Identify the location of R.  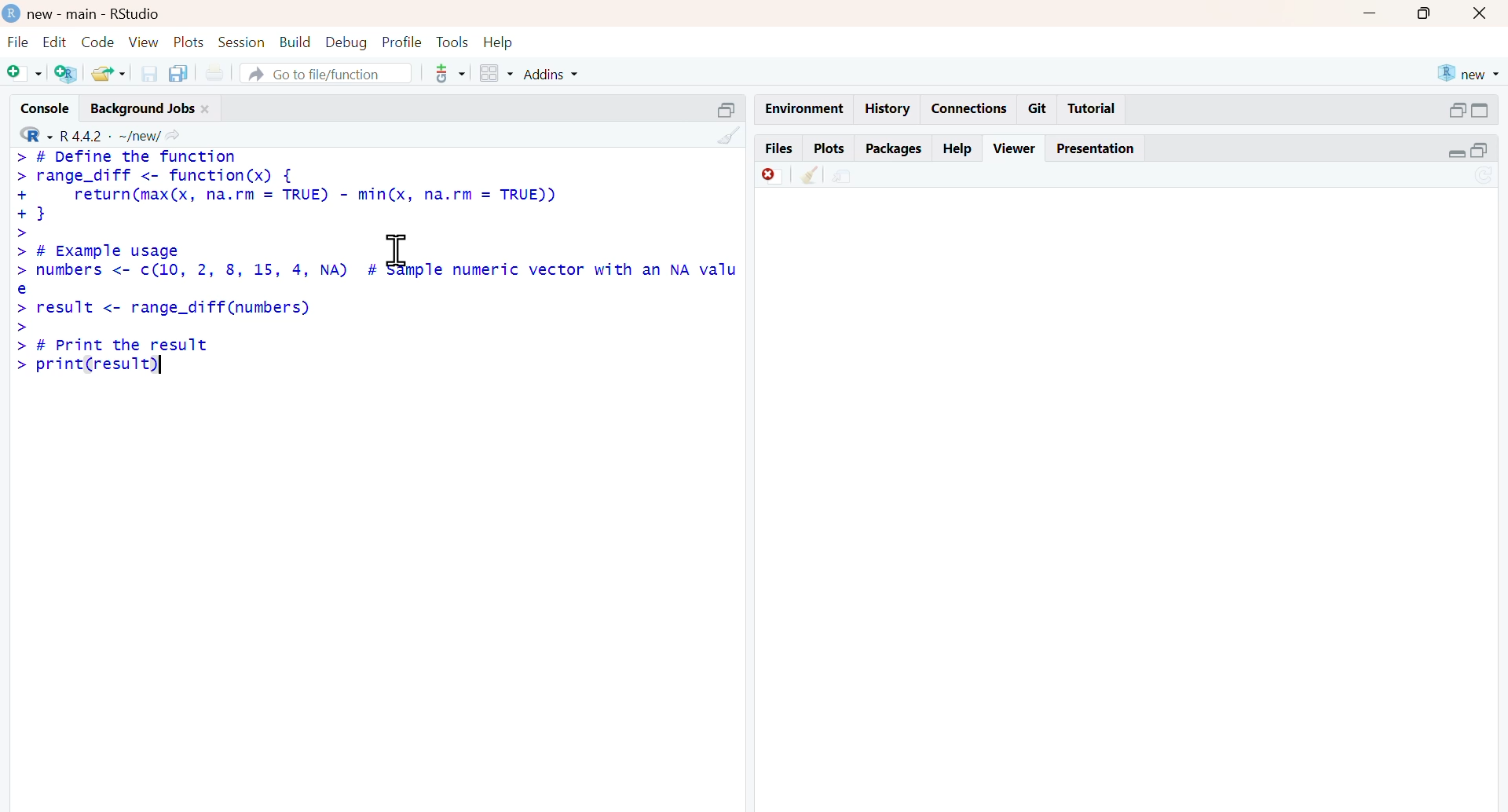
(35, 134).